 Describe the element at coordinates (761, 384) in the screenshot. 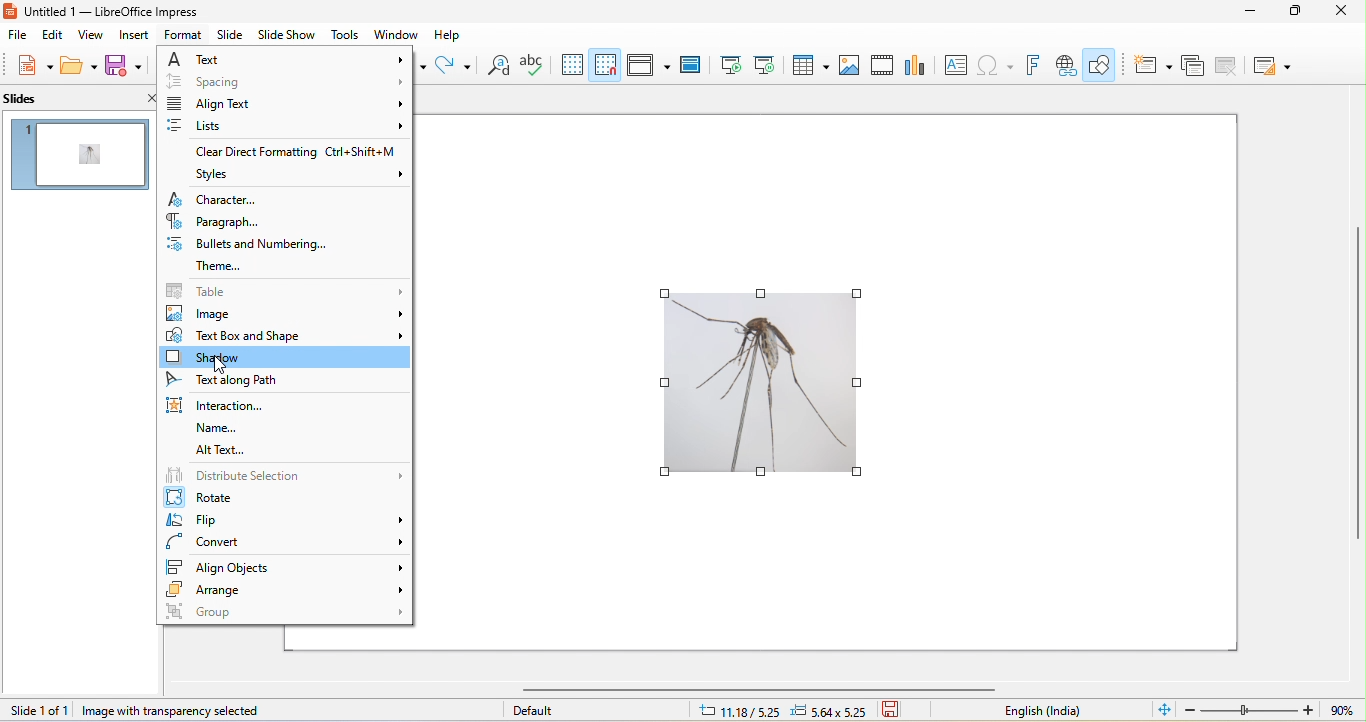

I see `image` at that location.